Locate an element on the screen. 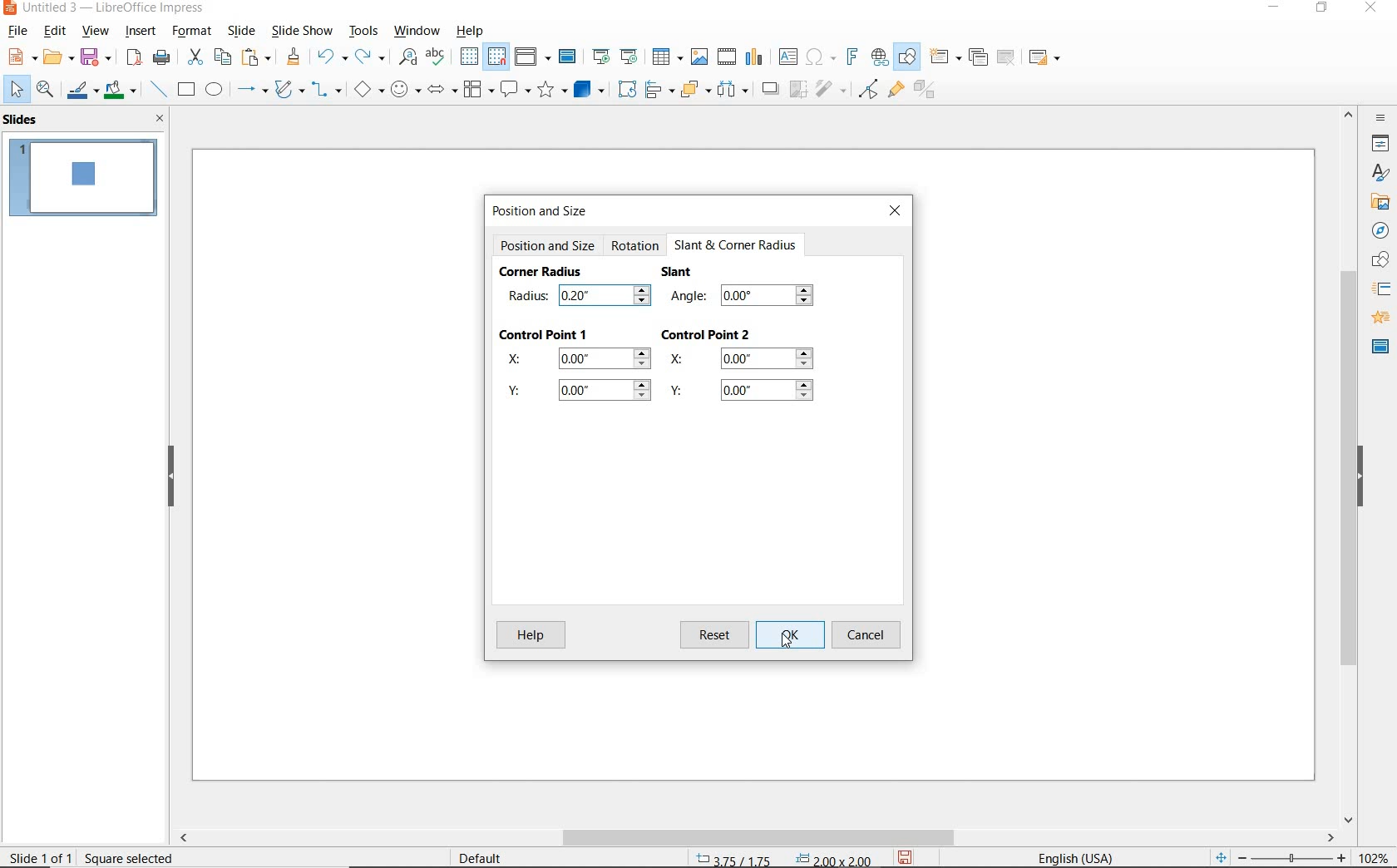 The width and height of the screenshot is (1397, 868). curves and polygons is located at coordinates (288, 91).